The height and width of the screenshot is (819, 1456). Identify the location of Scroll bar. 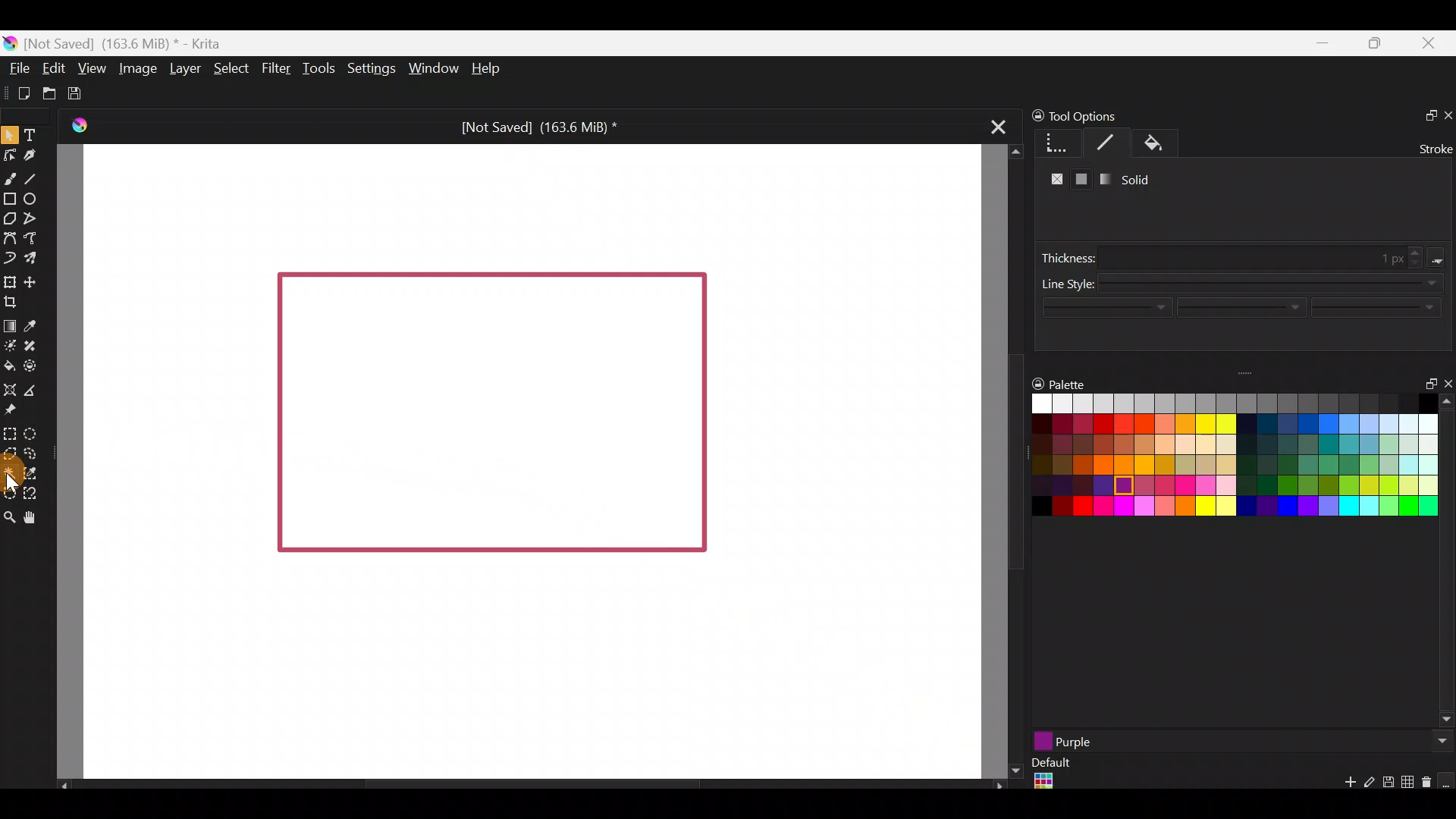
(1005, 462).